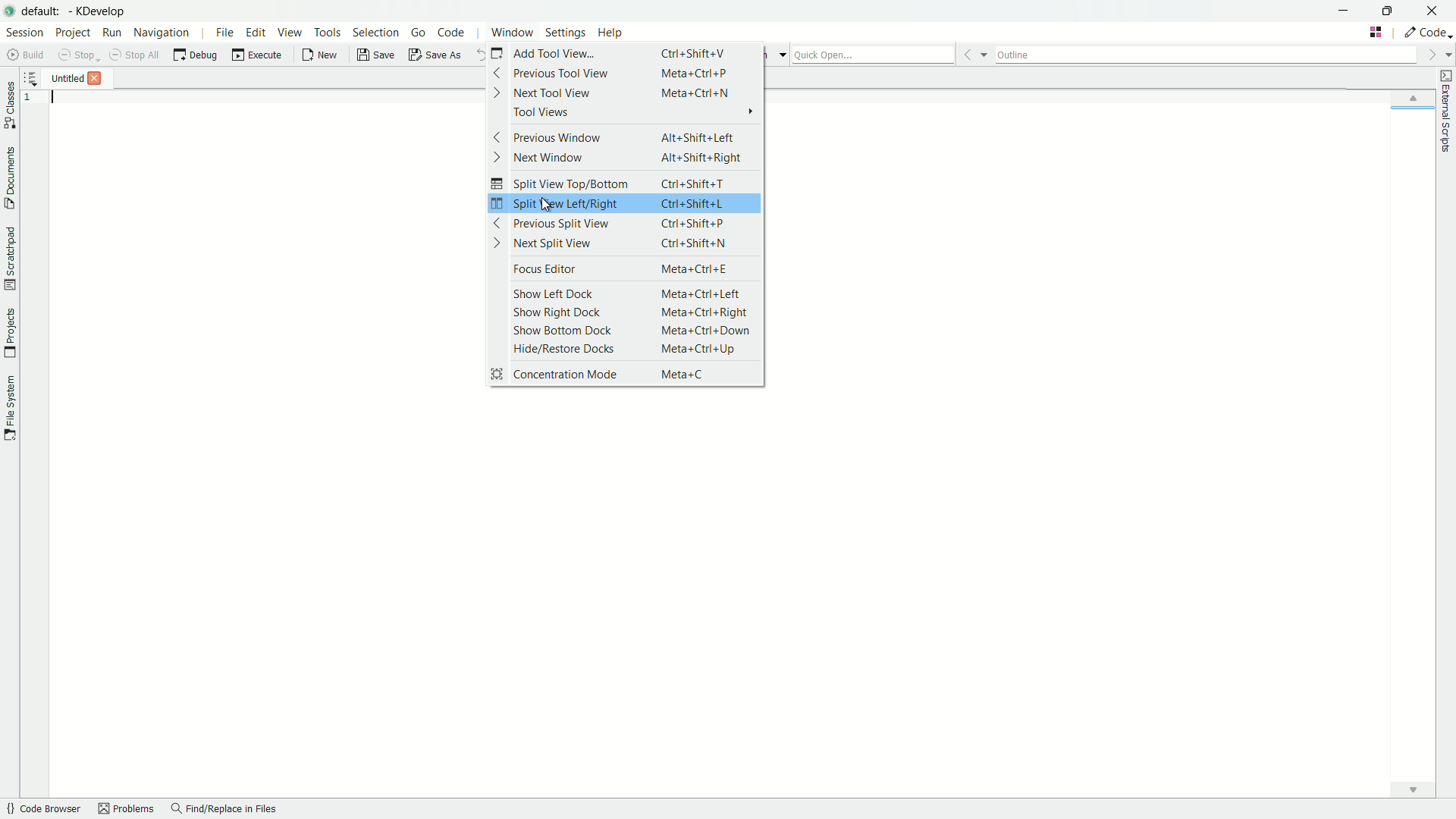 The height and width of the screenshot is (819, 1456). Describe the element at coordinates (1409, 101) in the screenshot. I see `up` at that location.